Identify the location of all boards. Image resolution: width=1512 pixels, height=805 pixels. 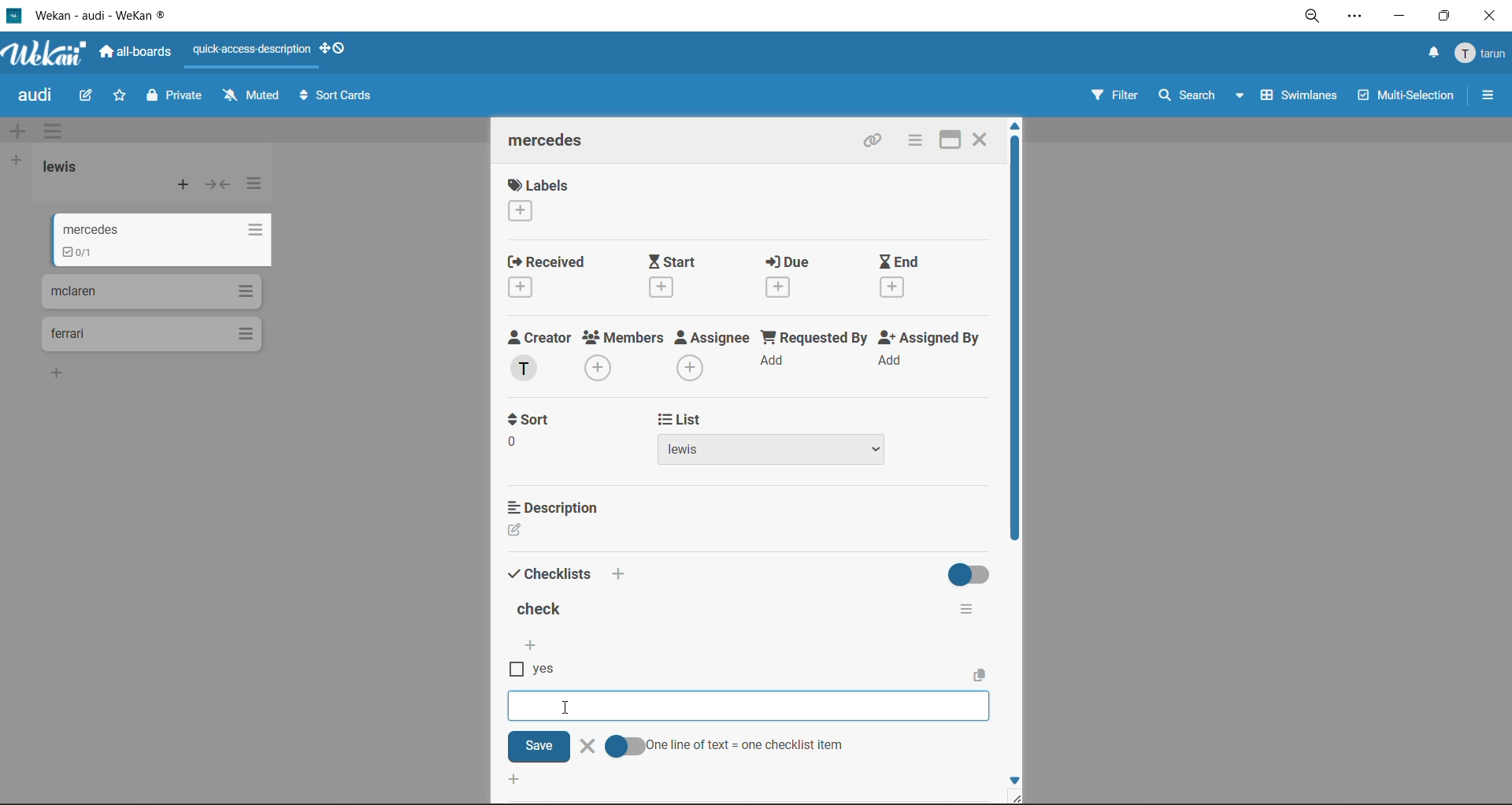
(141, 54).